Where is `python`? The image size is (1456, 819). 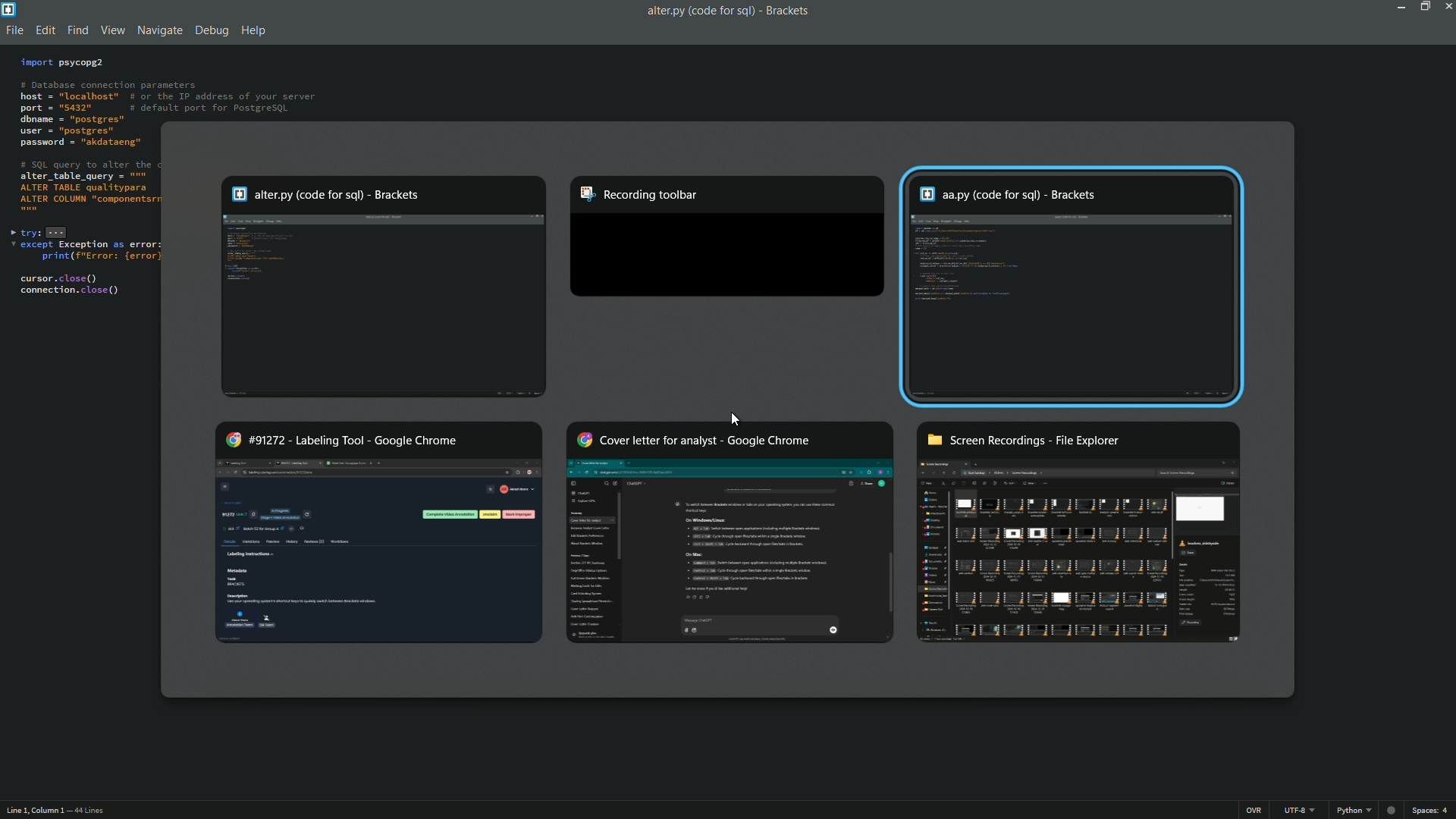 python is located at coordinates (1349, 811).